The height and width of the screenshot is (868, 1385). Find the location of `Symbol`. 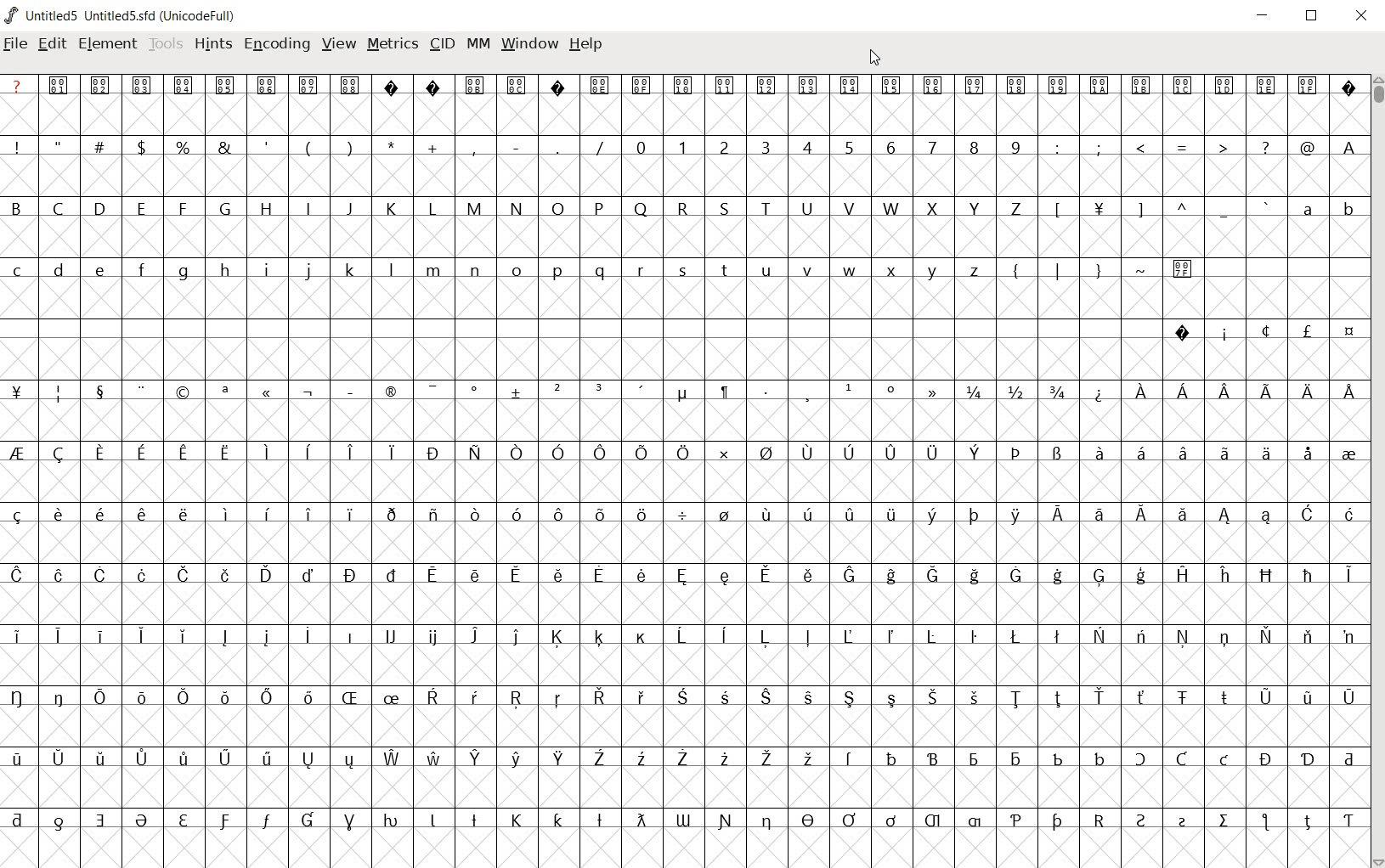

Symbol is located at coordinates (892, 758).